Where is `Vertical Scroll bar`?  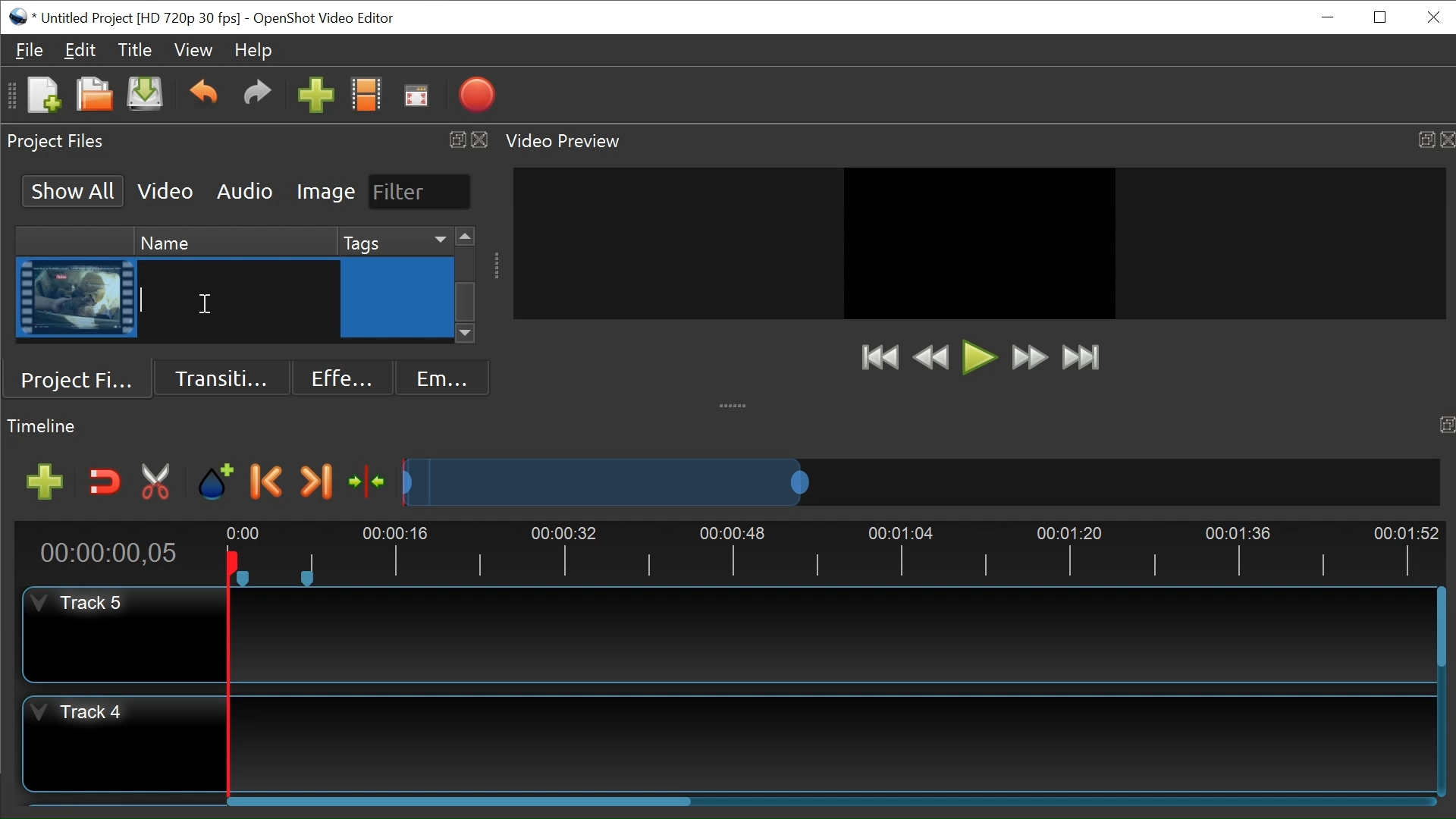
Vertical Scroll bar is located at coordinates (1439, 629).